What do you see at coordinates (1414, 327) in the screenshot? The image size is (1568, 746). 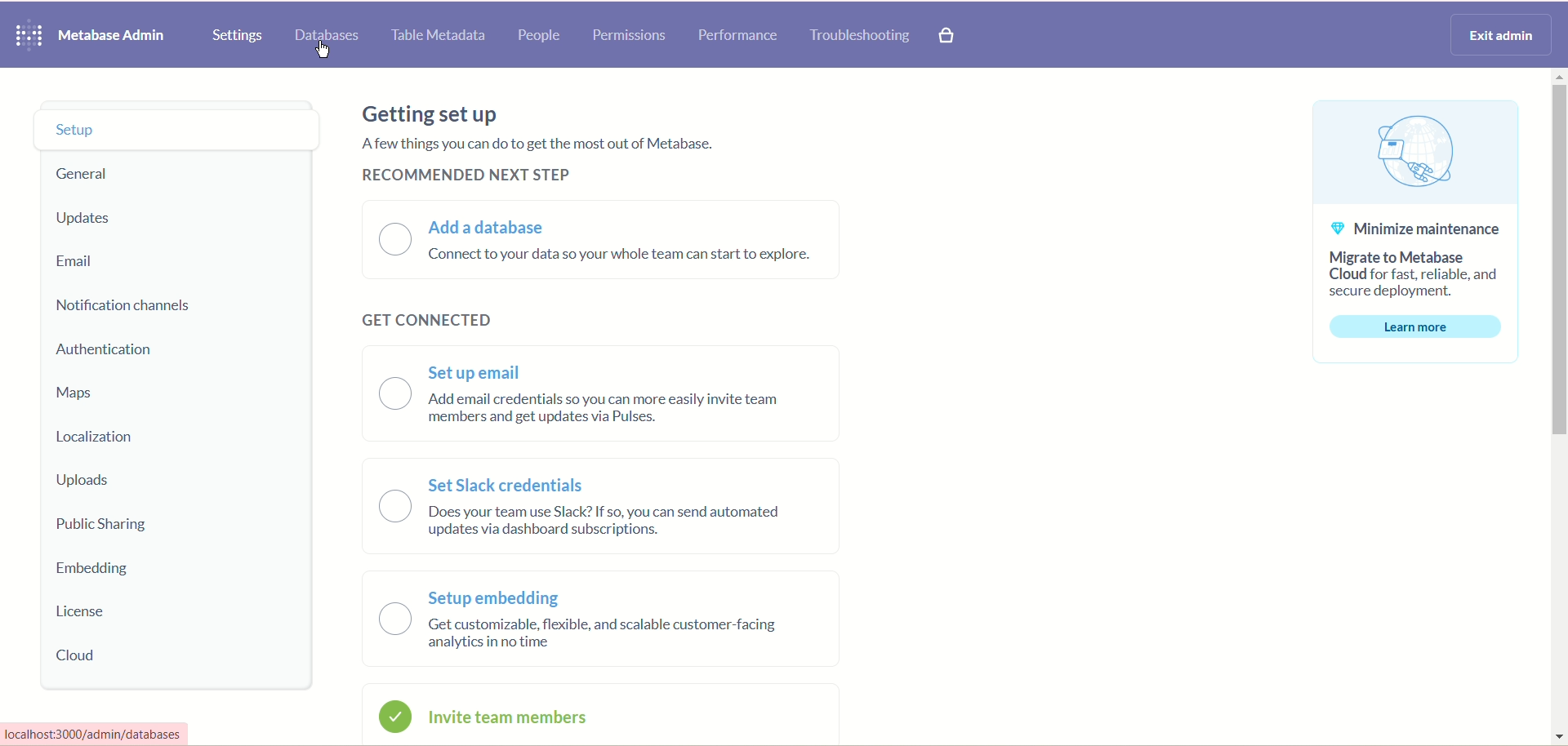 I see `learn more` at bounding box center [1414, 327].